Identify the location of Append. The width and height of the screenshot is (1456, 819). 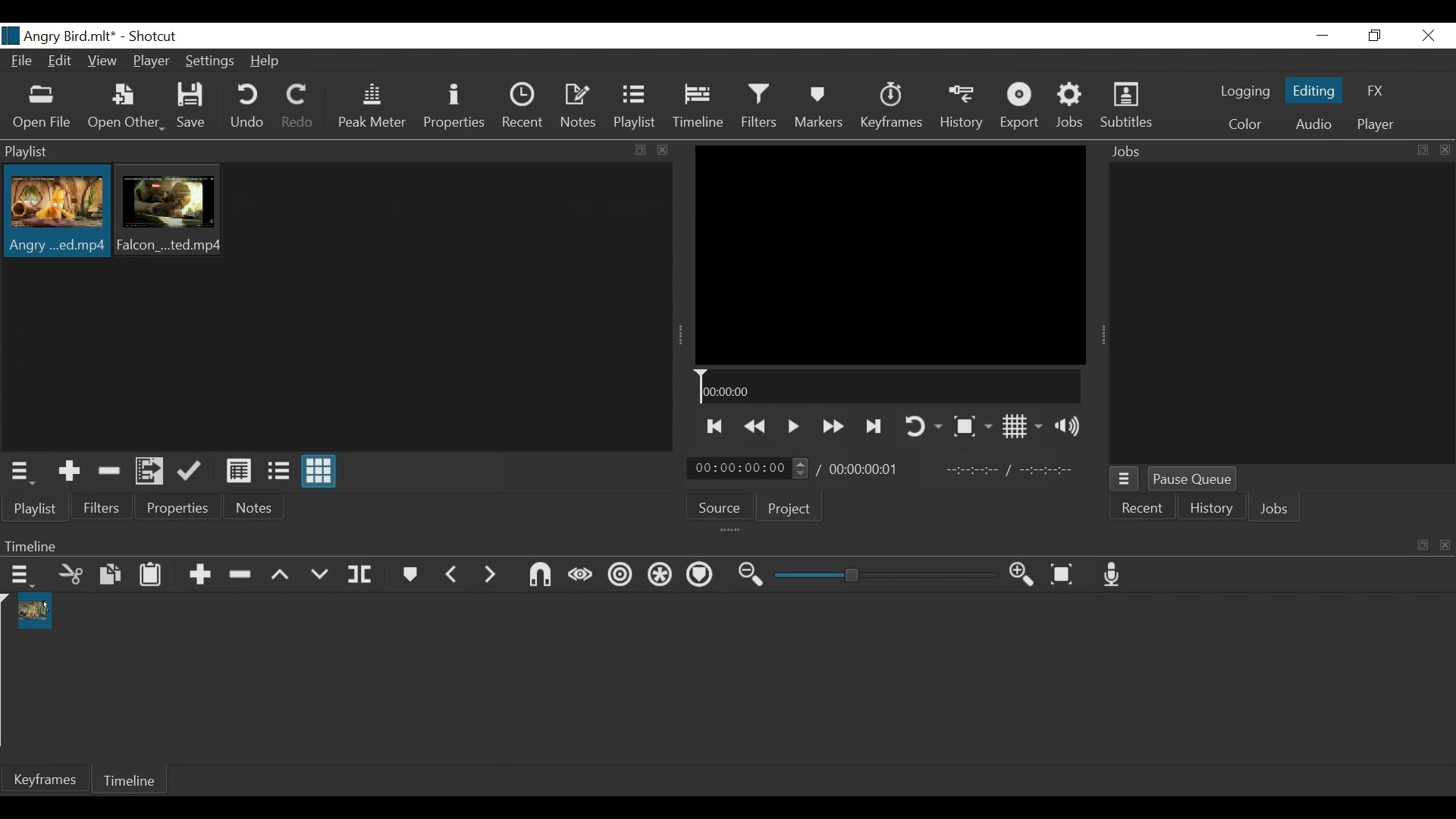
(202, 576).